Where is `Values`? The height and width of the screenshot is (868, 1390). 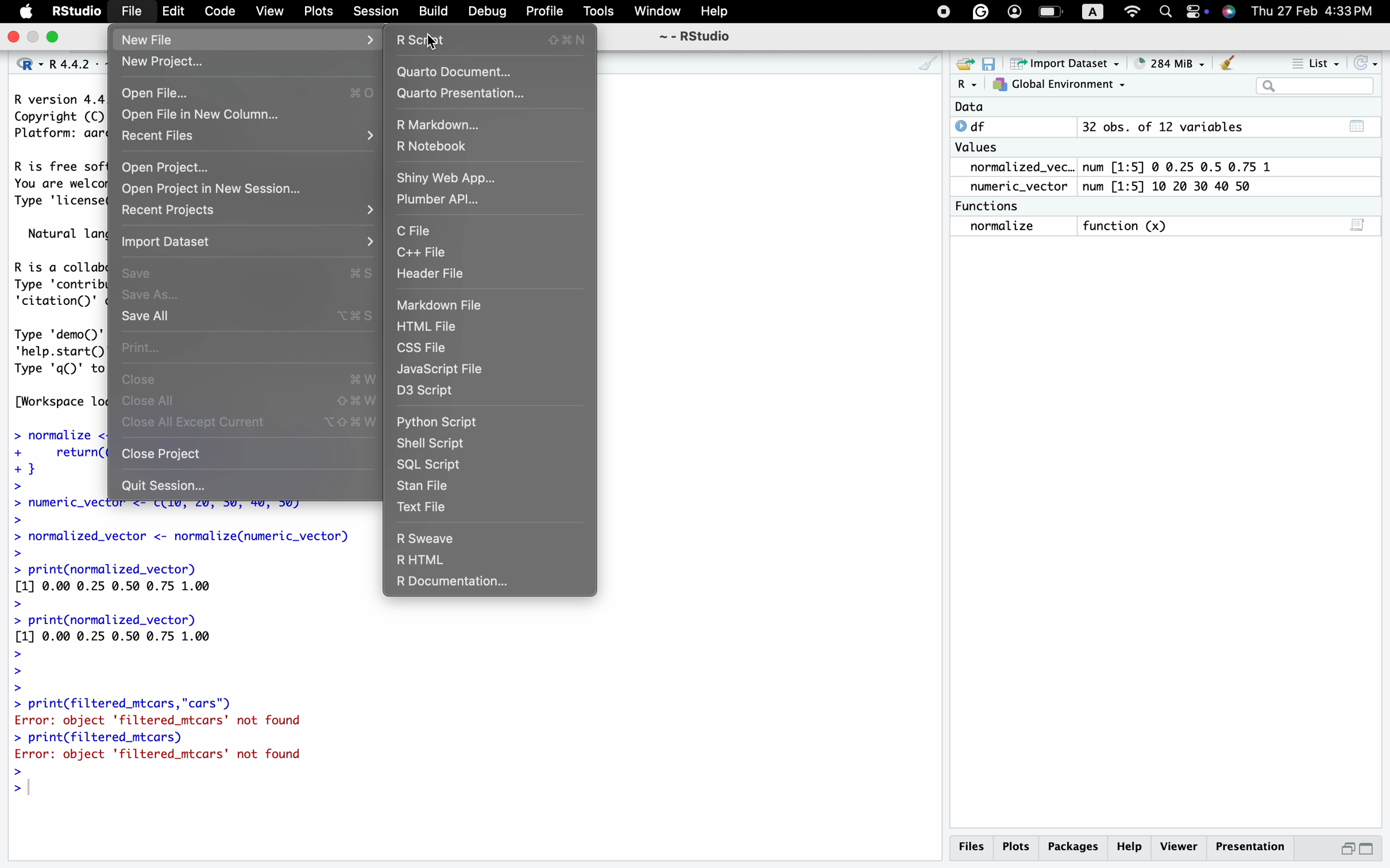 Values is located at coordinates (980, 149).